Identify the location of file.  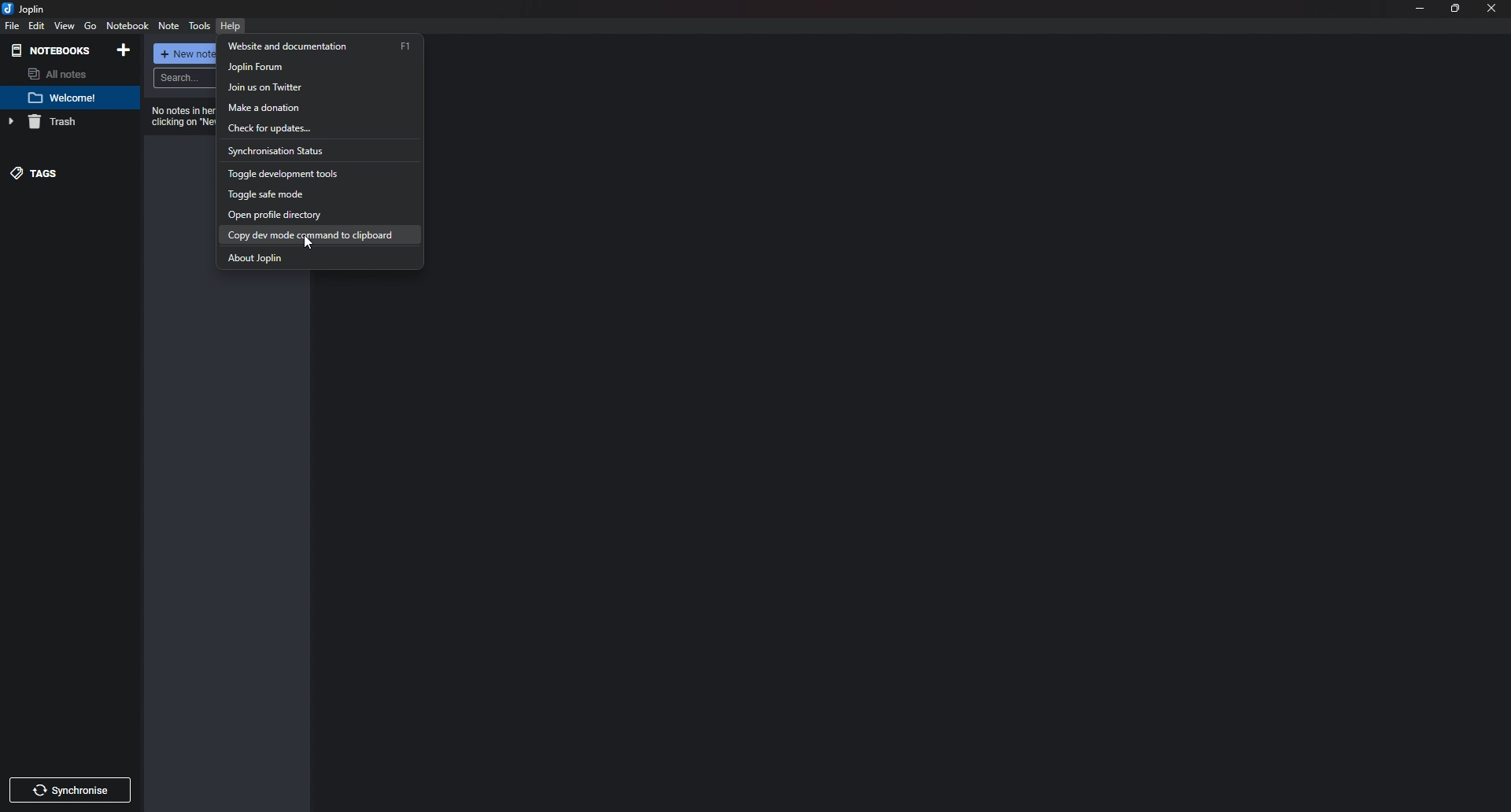
(11, 27).